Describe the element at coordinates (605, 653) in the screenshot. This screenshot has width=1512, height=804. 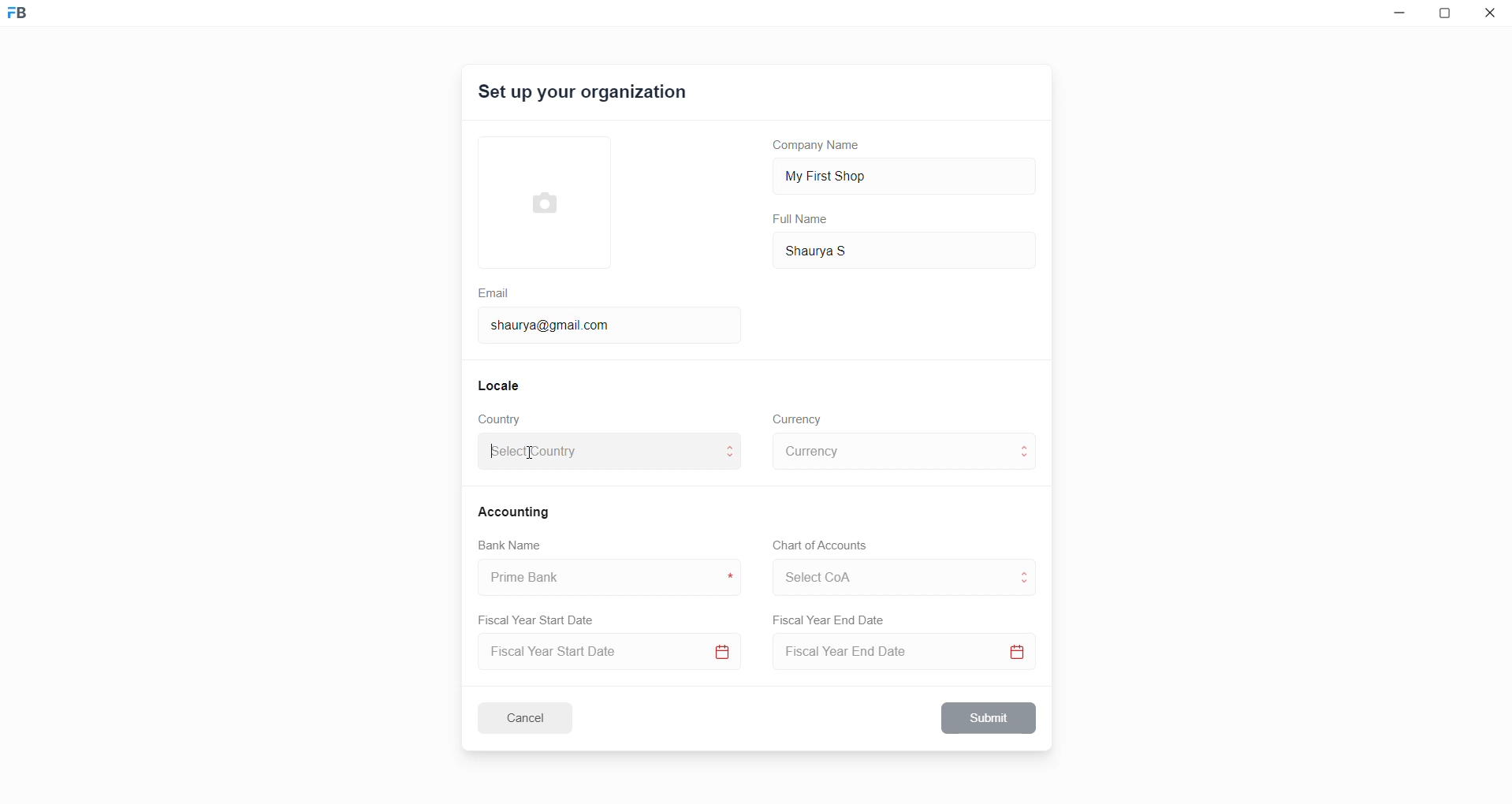
I see `select fiscal year start date` at that location.